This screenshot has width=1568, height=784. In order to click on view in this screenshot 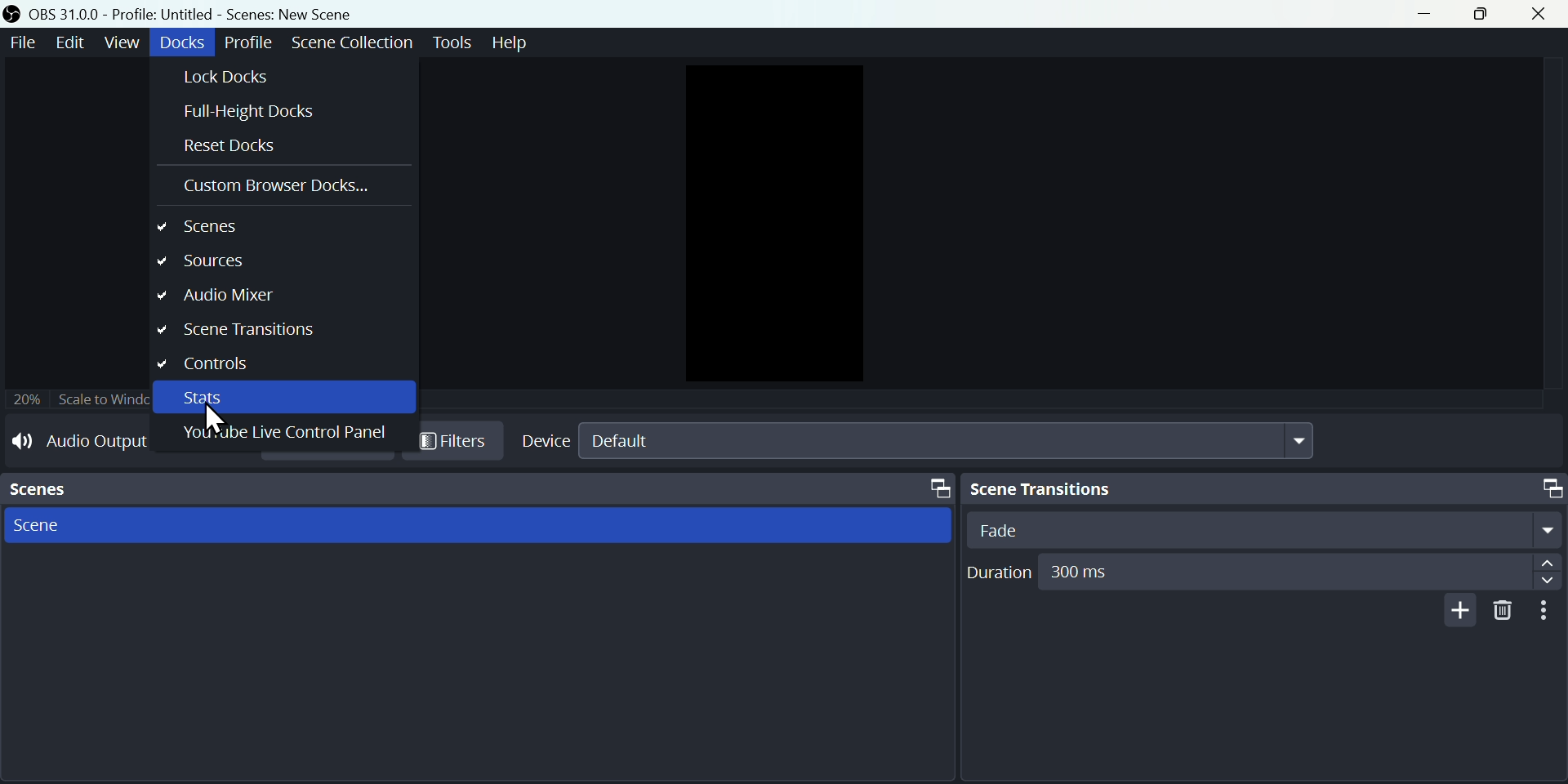, I will do `click(127, 42)`.